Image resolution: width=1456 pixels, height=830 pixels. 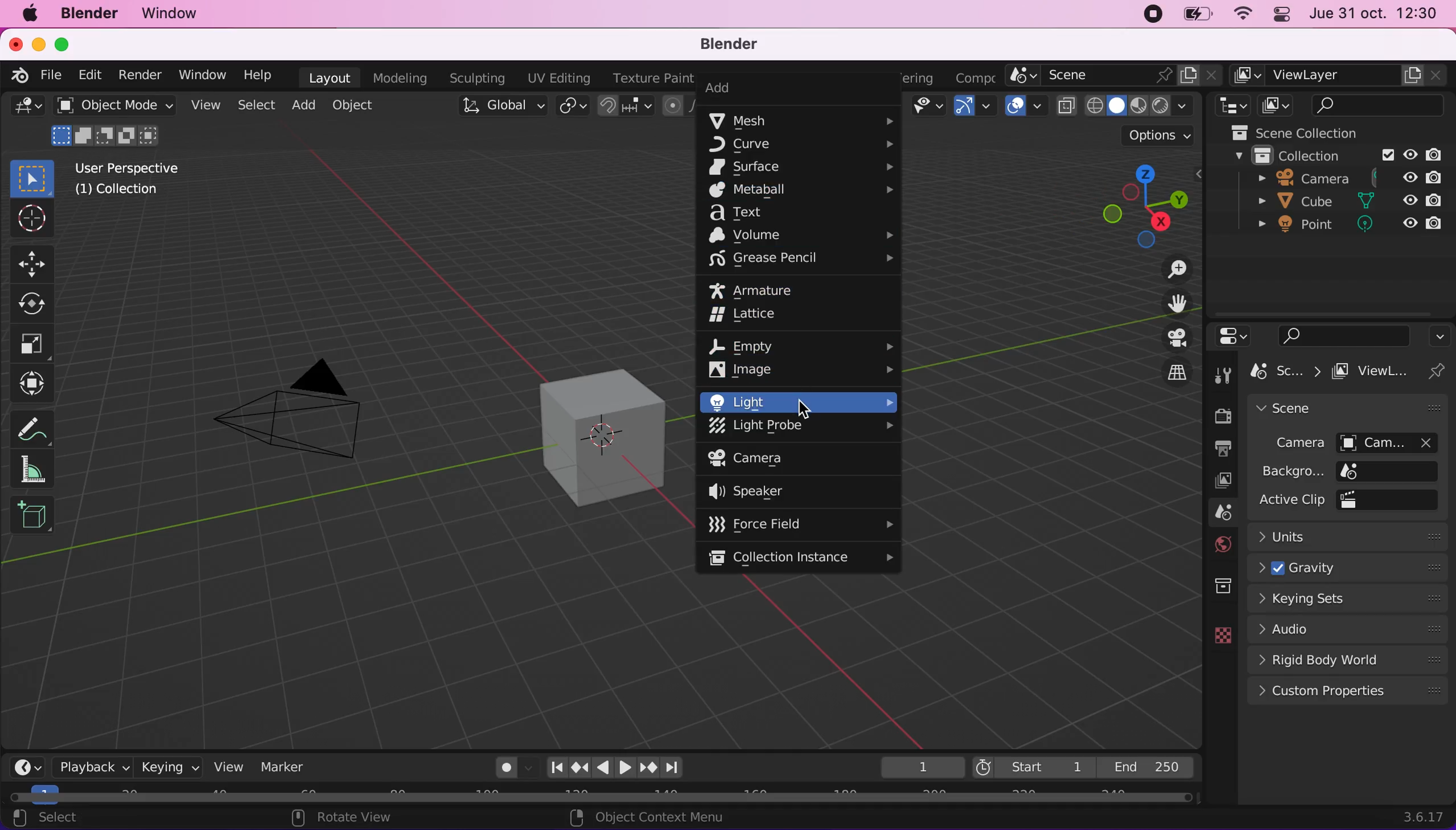 I want to click on view, so click(x=206, y=105).